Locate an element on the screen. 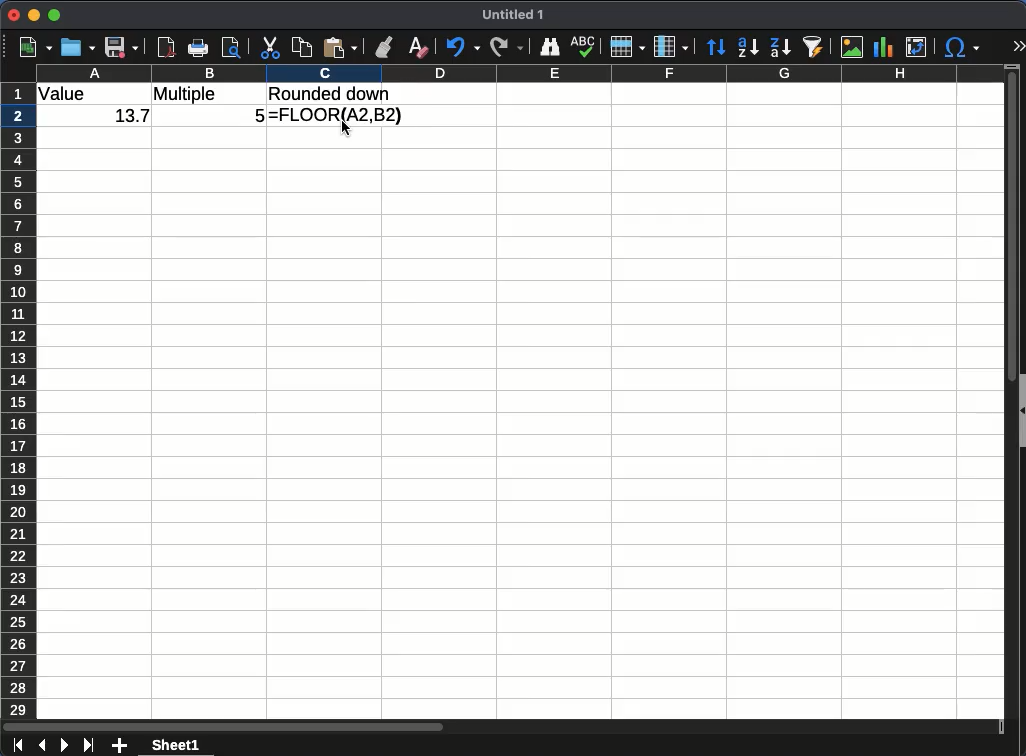 This screenshot has width=1026, height=756. chart is located at coordinates (883, 47).